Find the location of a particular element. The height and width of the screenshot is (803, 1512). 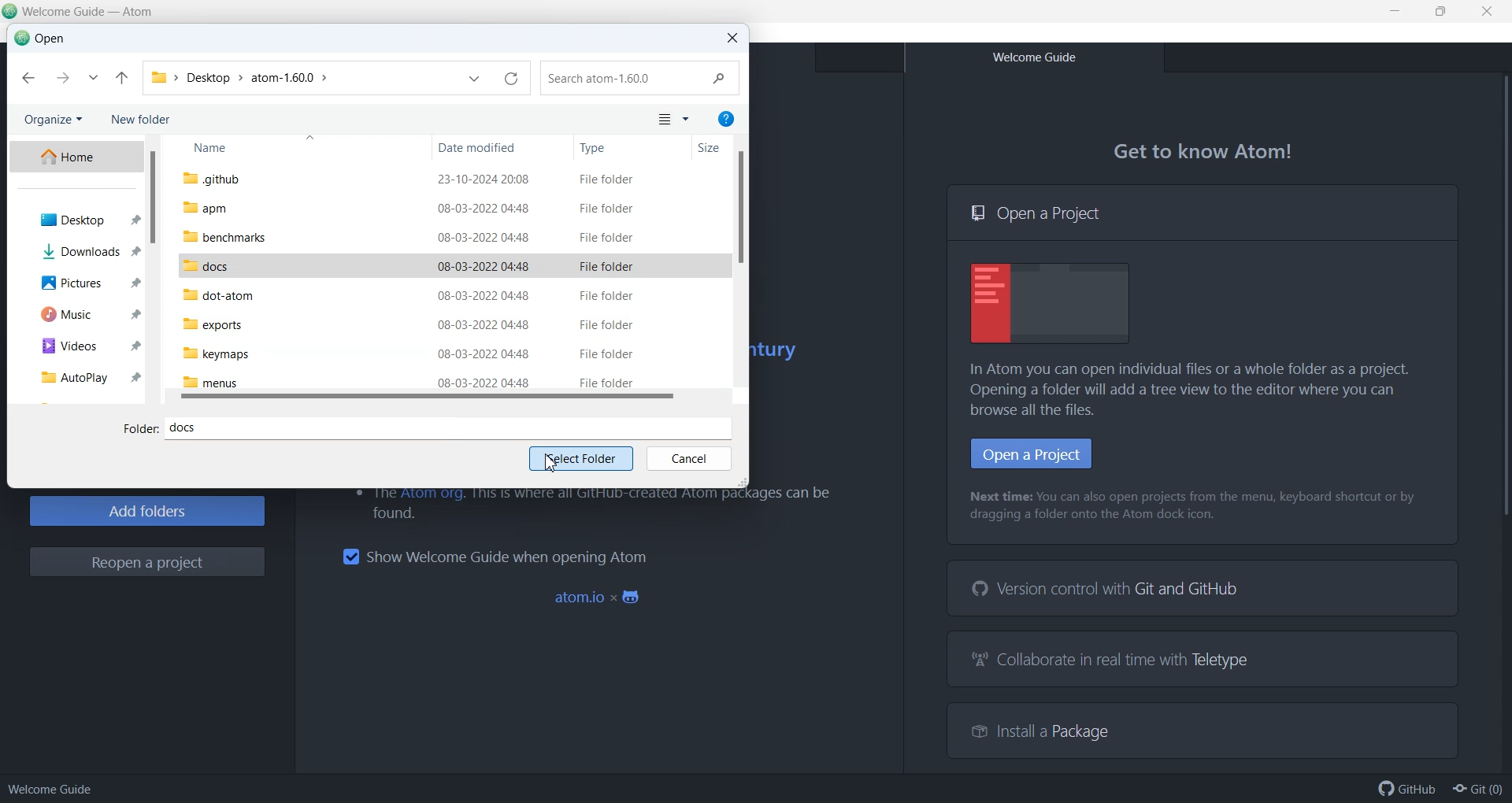

23-10-2024 20:08 is located at coordinates (486, 179).